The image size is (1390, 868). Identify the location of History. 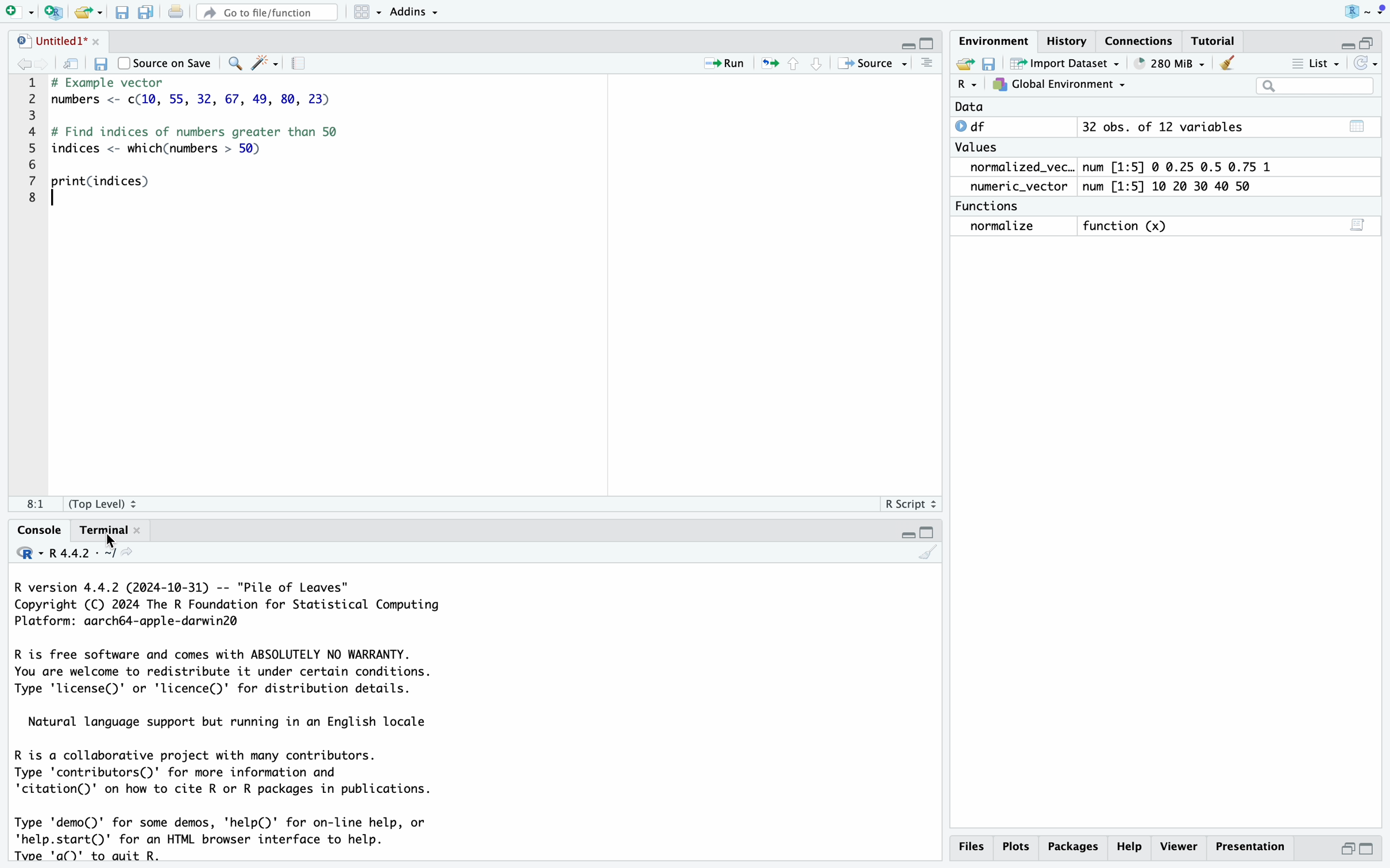
(1068, 40).